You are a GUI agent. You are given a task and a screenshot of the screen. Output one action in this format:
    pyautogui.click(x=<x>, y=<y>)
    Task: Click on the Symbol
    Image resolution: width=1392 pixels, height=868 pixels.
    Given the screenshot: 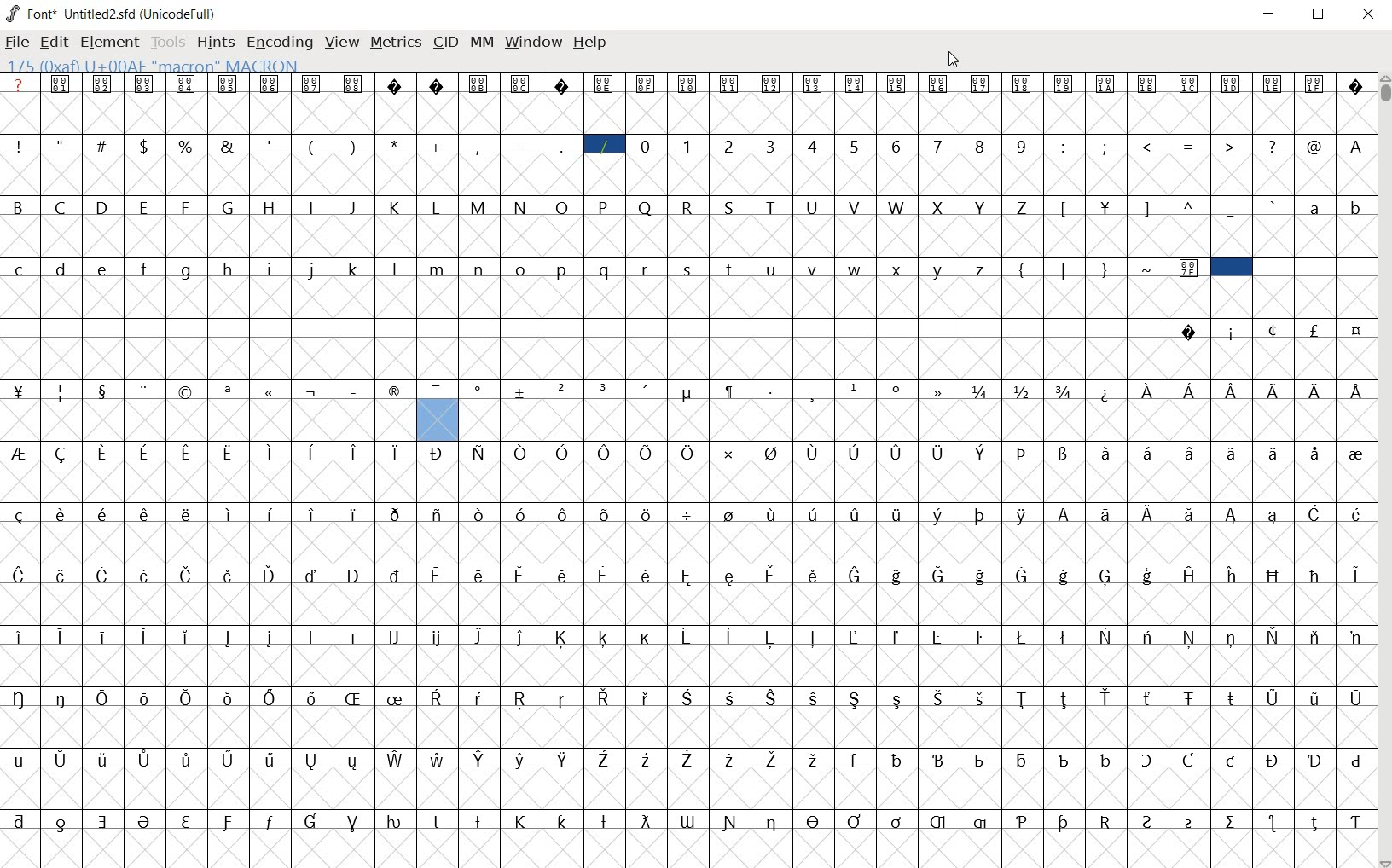 What is the action you would take?
    pyautogui.click(x=1314, y=637)
    